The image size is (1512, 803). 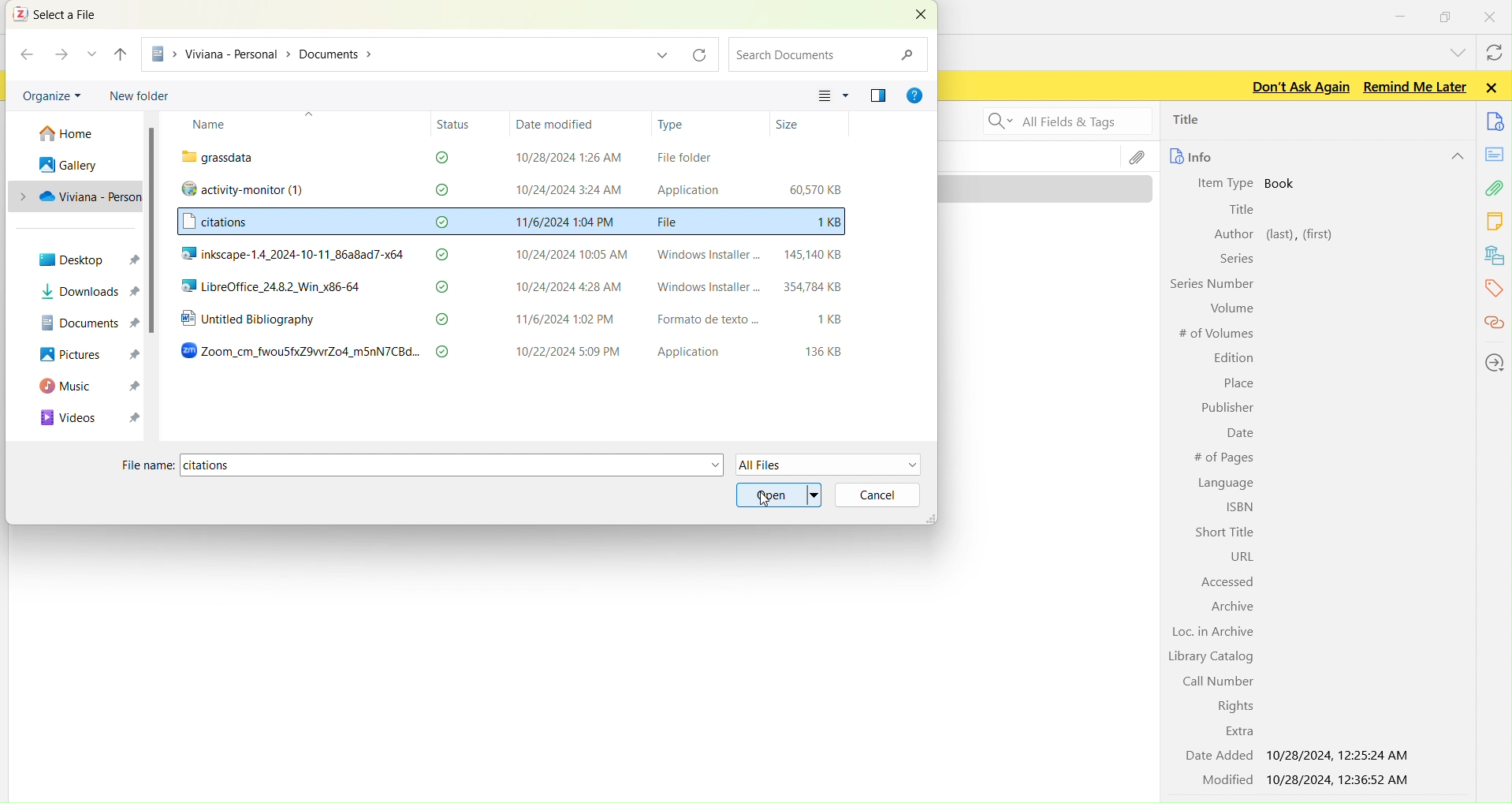 What do you see at coordinates (662, 57) in the screenshot?
I see `dropdown` at bounding box center [662, 57].